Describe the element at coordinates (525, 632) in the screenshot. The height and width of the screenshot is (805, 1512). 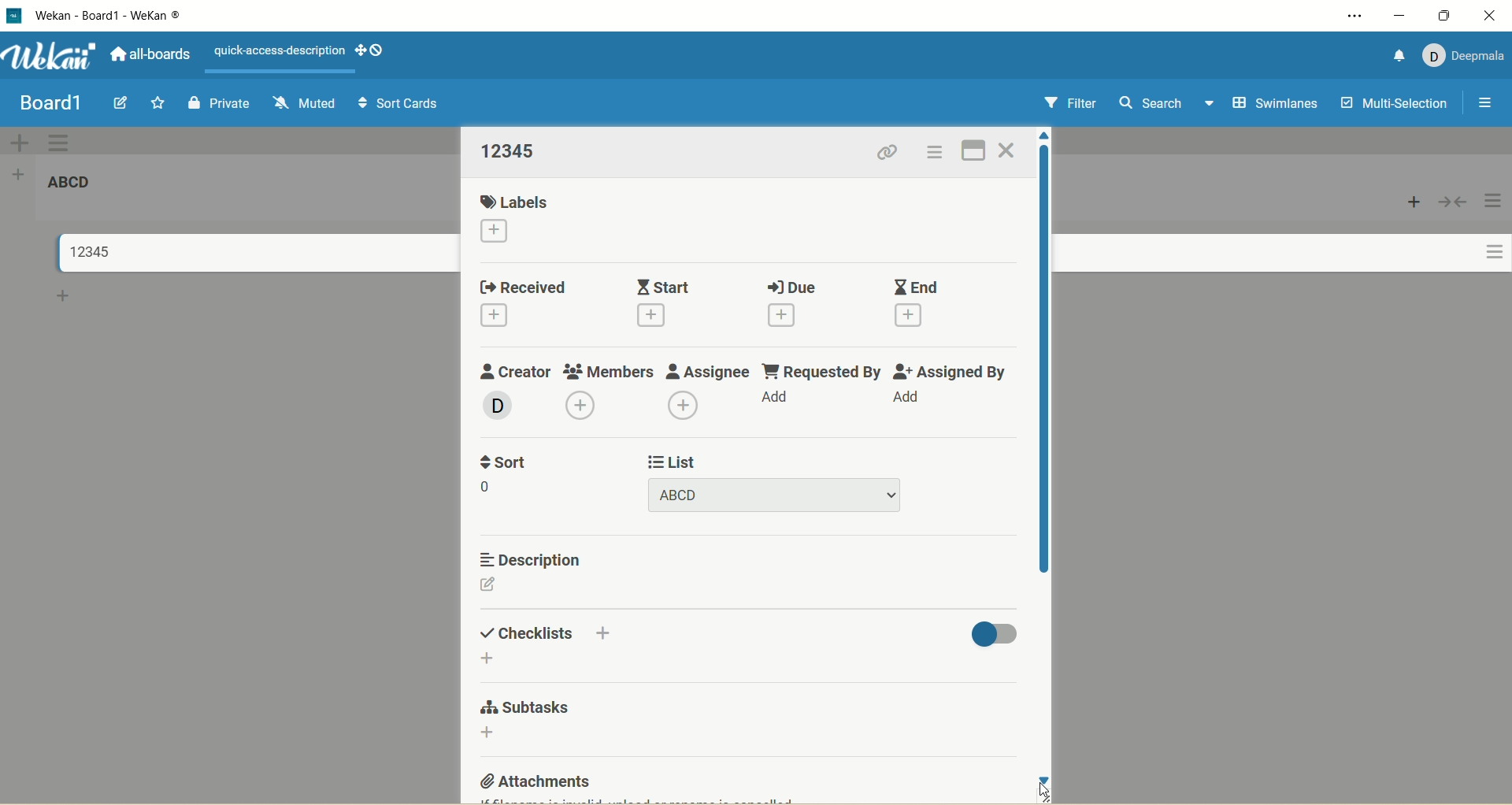
I see `checklist` at that location.